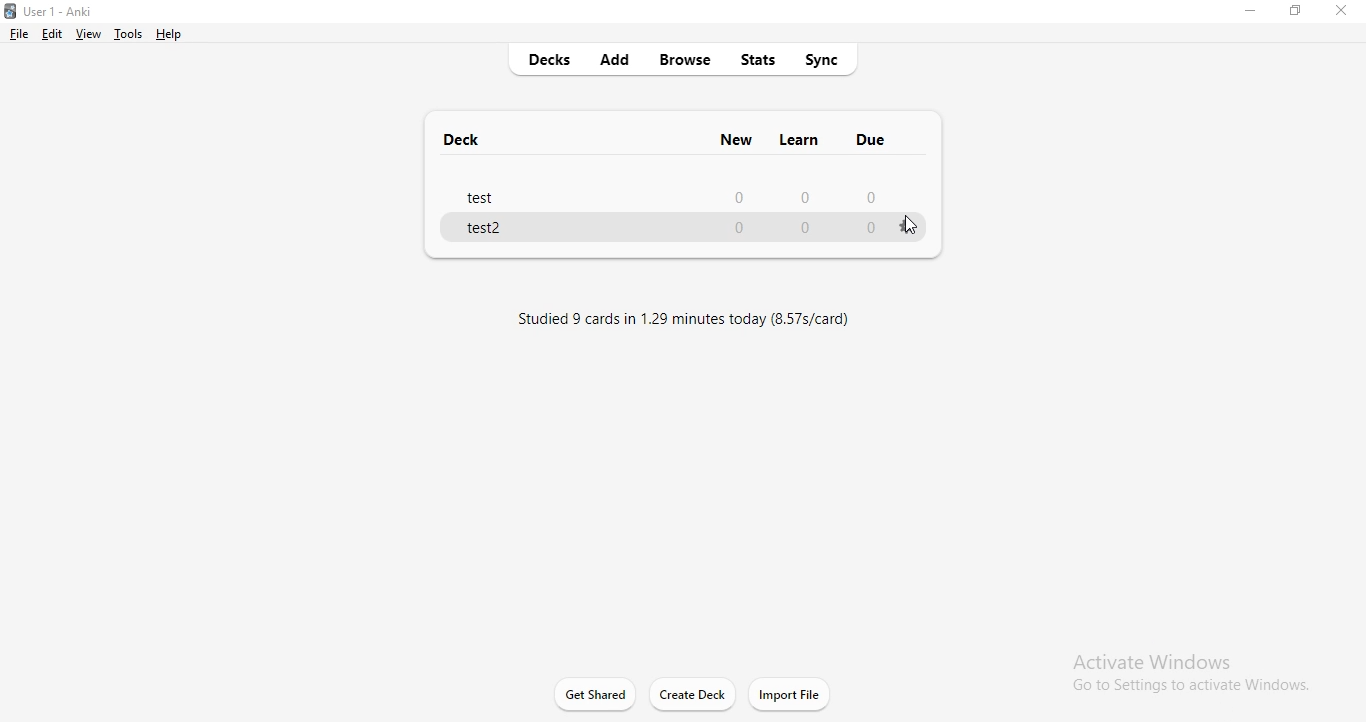  I want to click on restore, so click(1297, 13).